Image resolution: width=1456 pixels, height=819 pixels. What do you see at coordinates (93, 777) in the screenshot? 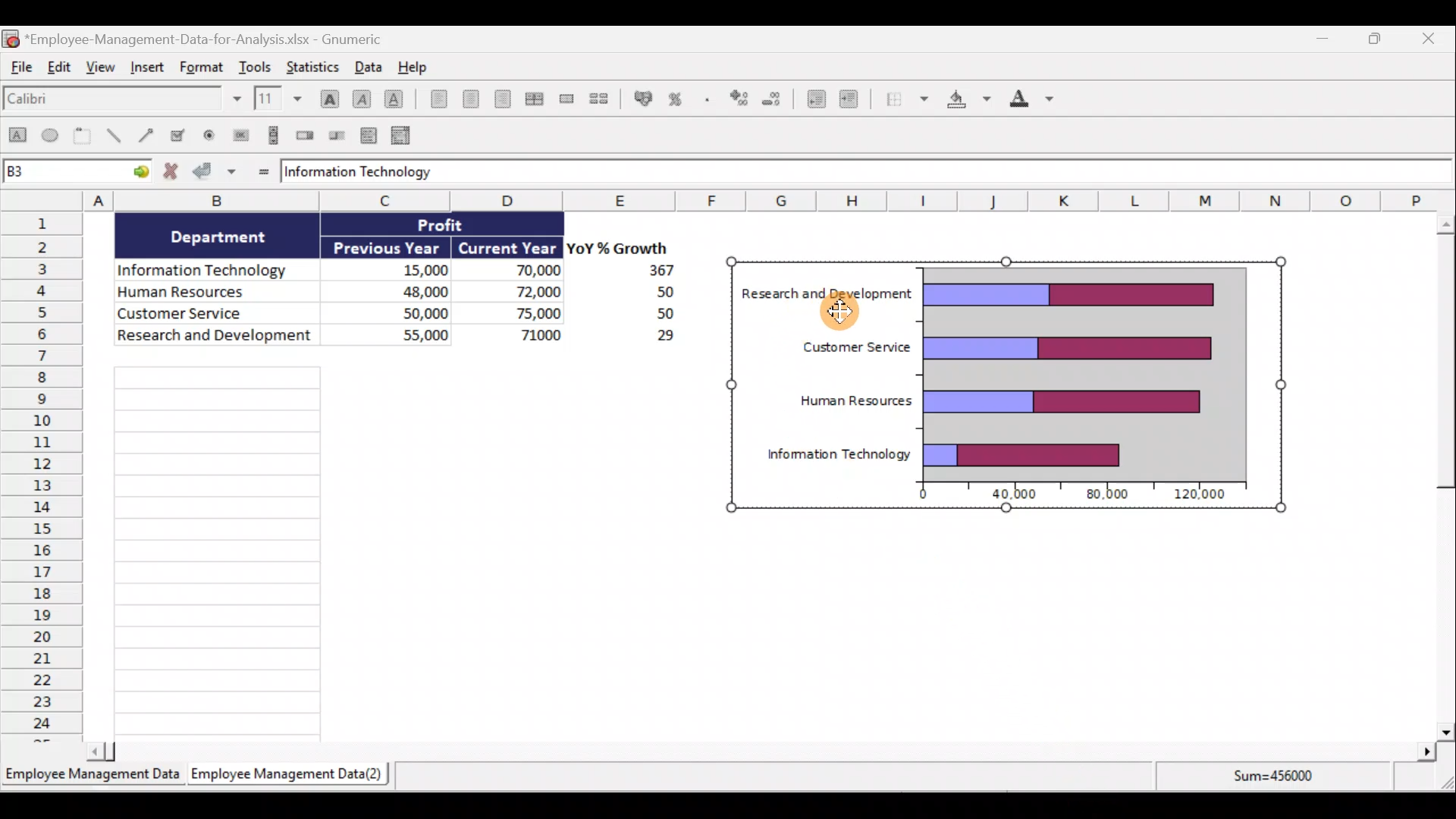
I see `Sheet 1` at bounding box center [93, 777].